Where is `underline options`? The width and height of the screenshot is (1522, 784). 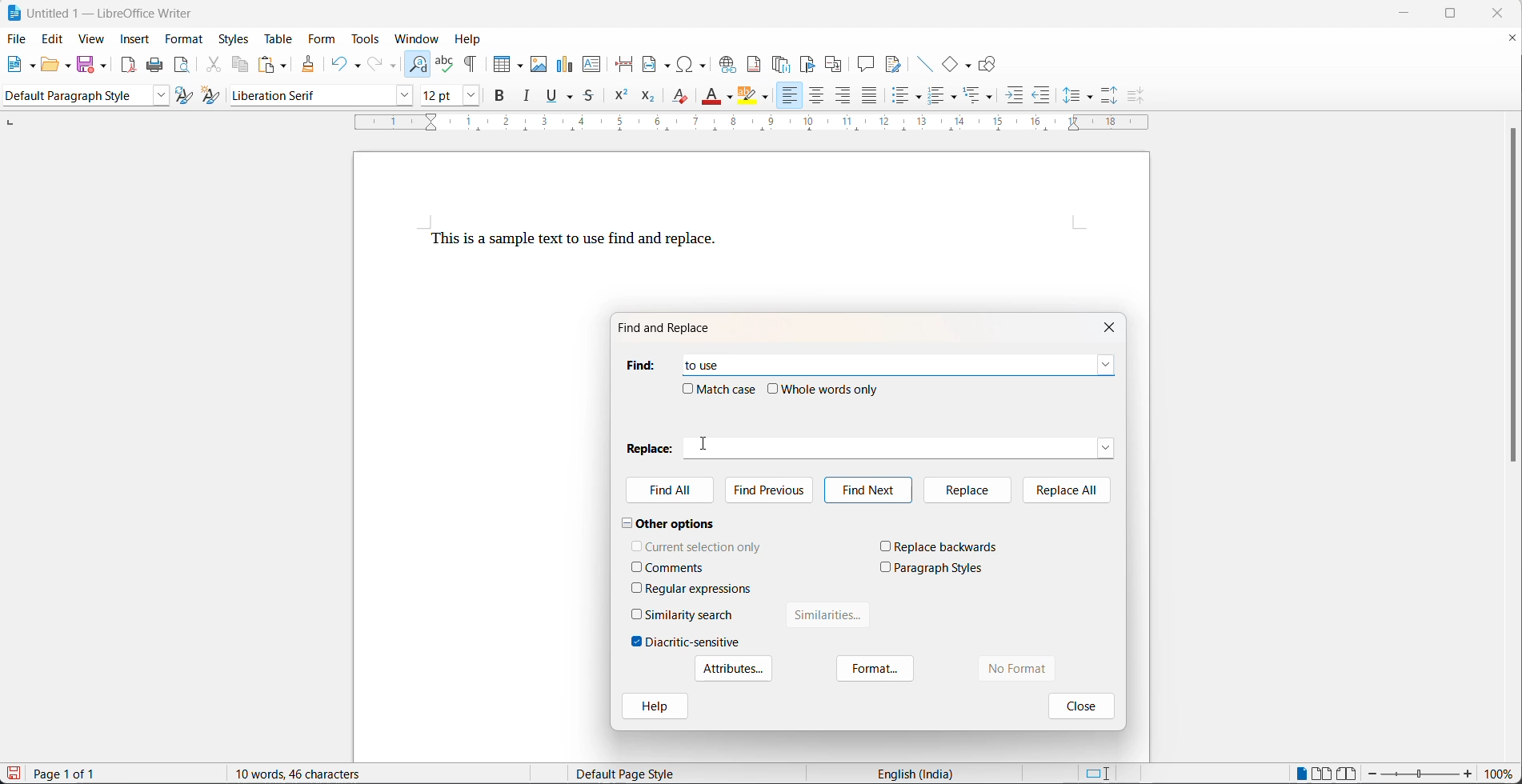 underline options is located at coordinates (571, 98).